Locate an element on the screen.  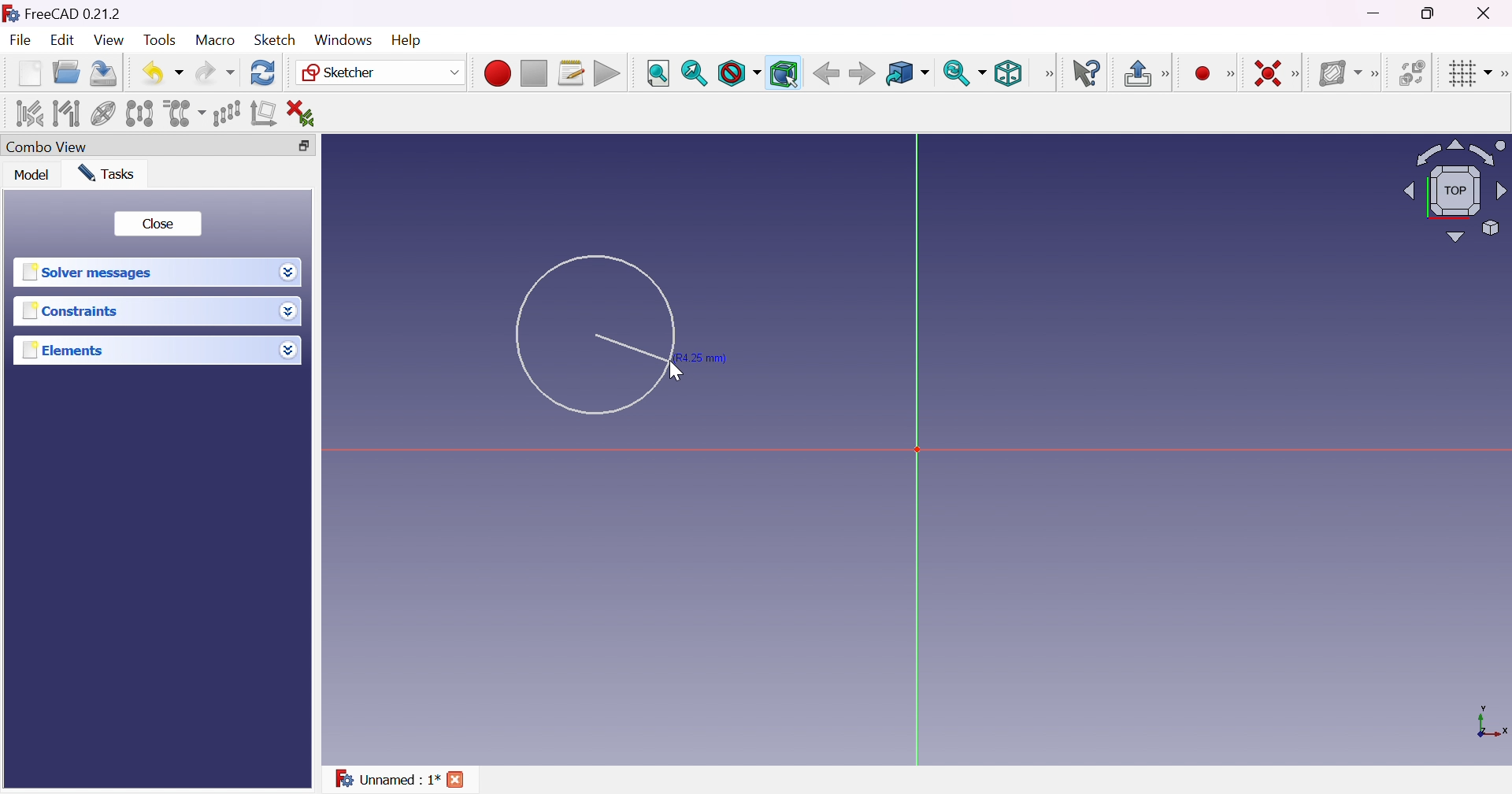
Create point is located at coordinates (1205, 72).